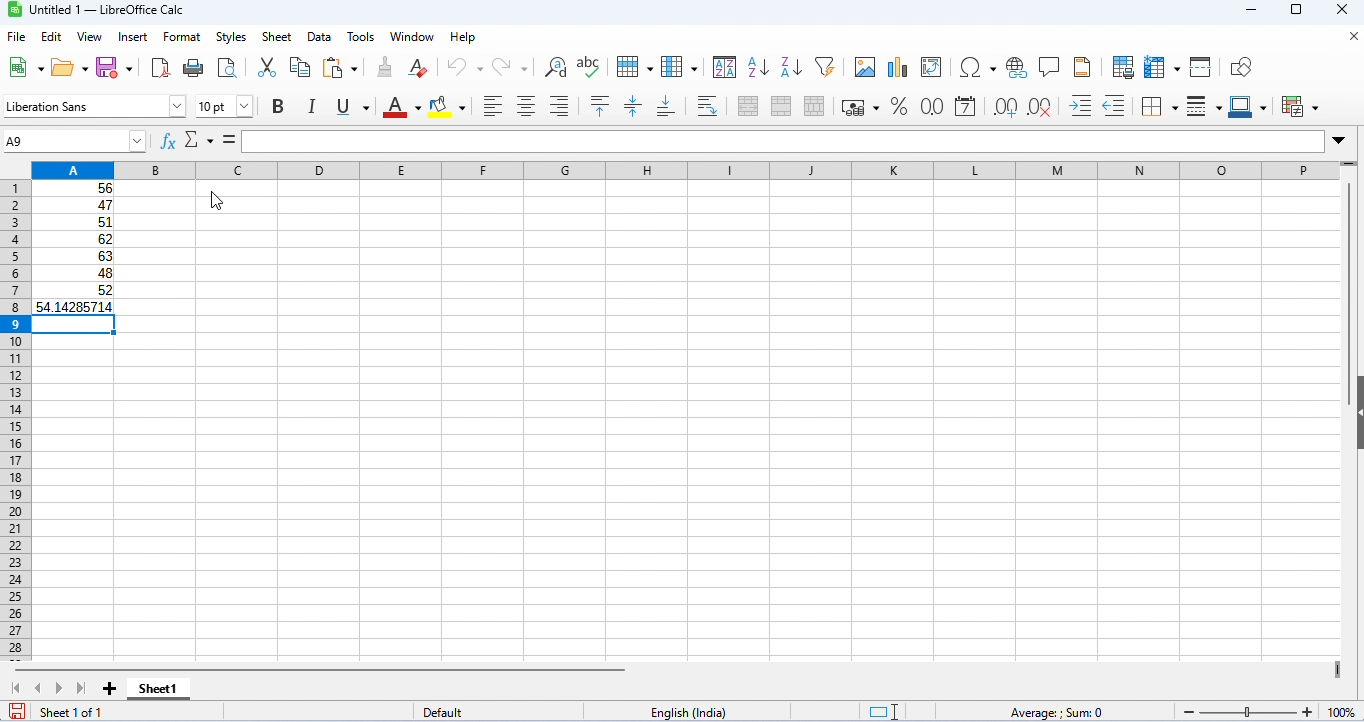 The height and width of the screenshot is (722, 1364). Describe the element at coordinates (72, 329) in the screenshot. I see `selected cell` at that location.